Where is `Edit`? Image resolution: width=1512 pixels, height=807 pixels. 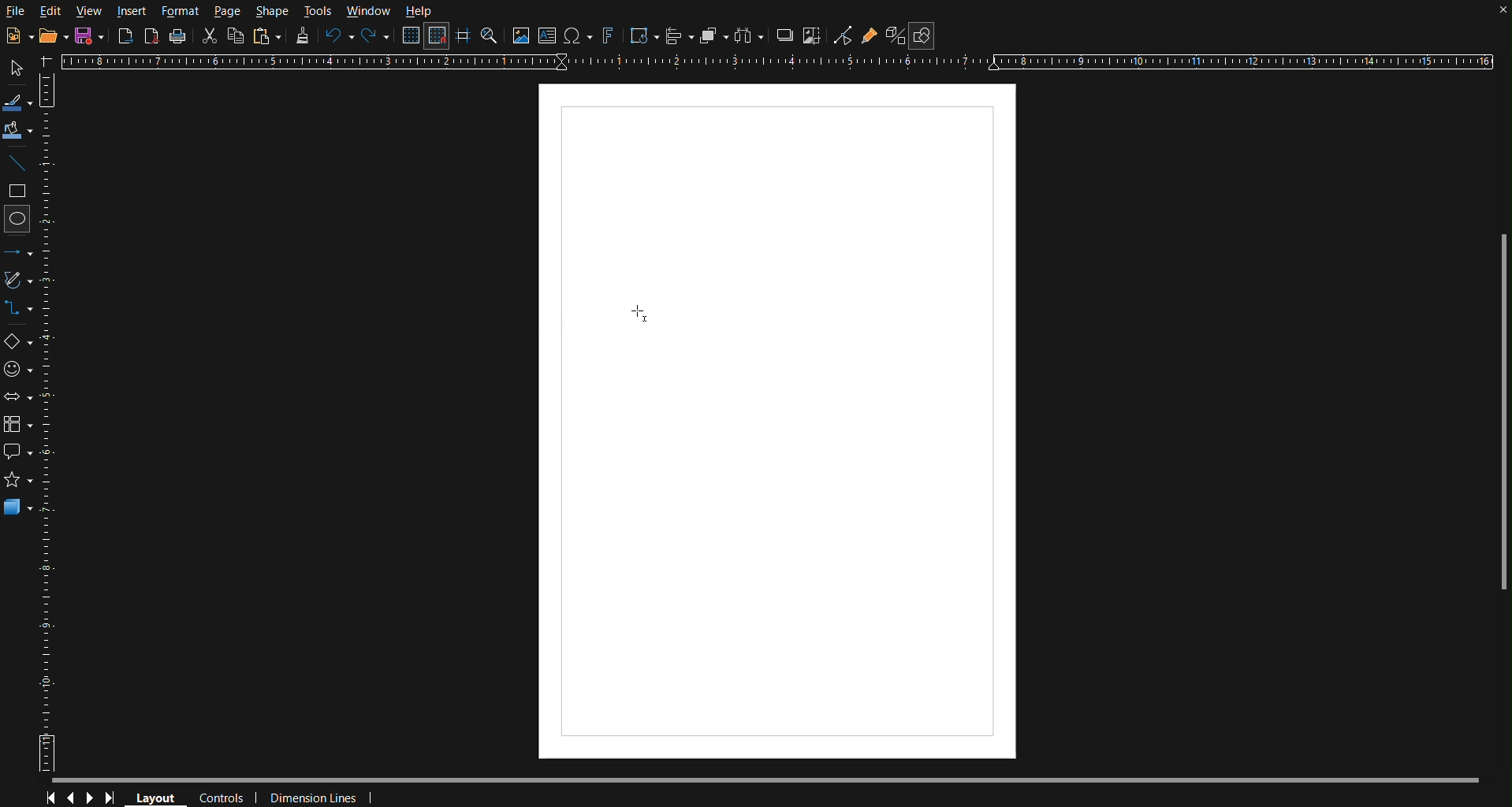 Edit is located at coordinates (51, 10).